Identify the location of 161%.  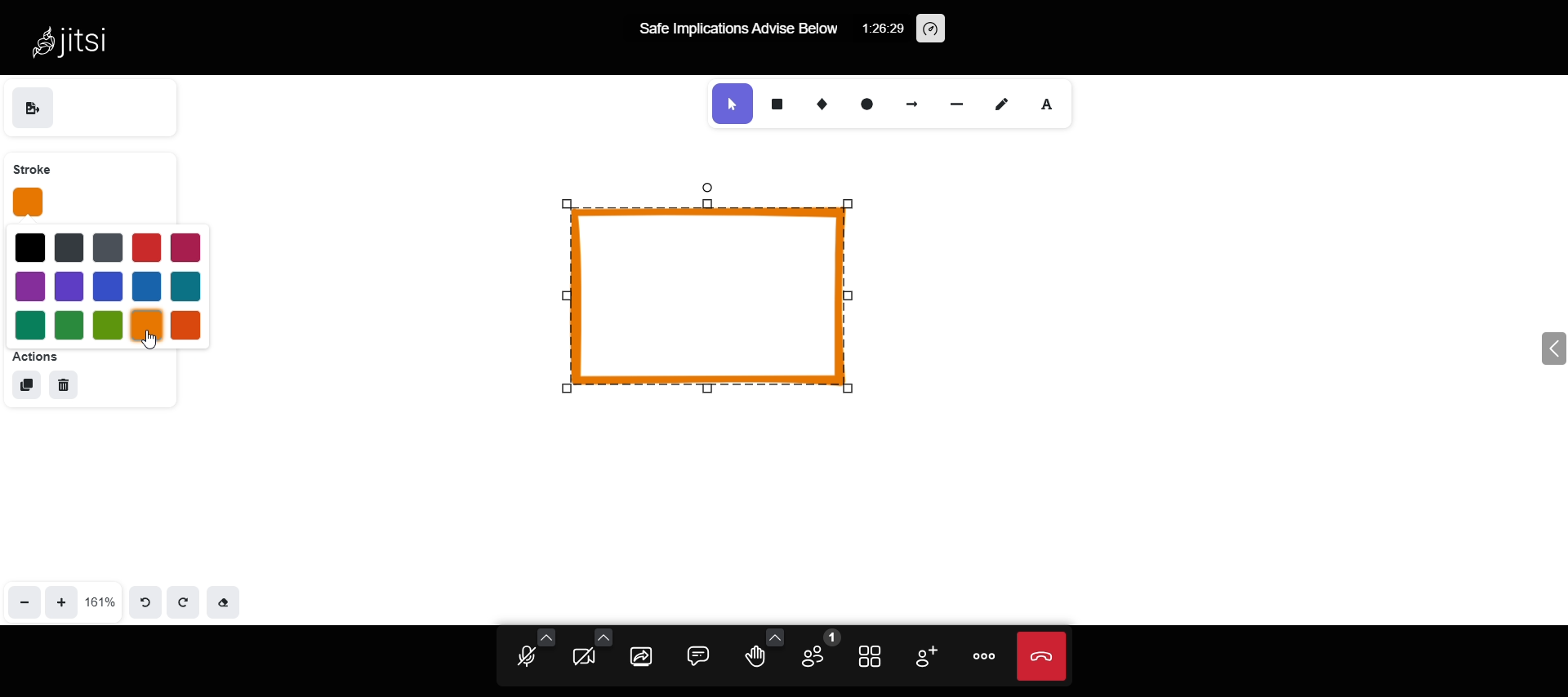
(100, 599).